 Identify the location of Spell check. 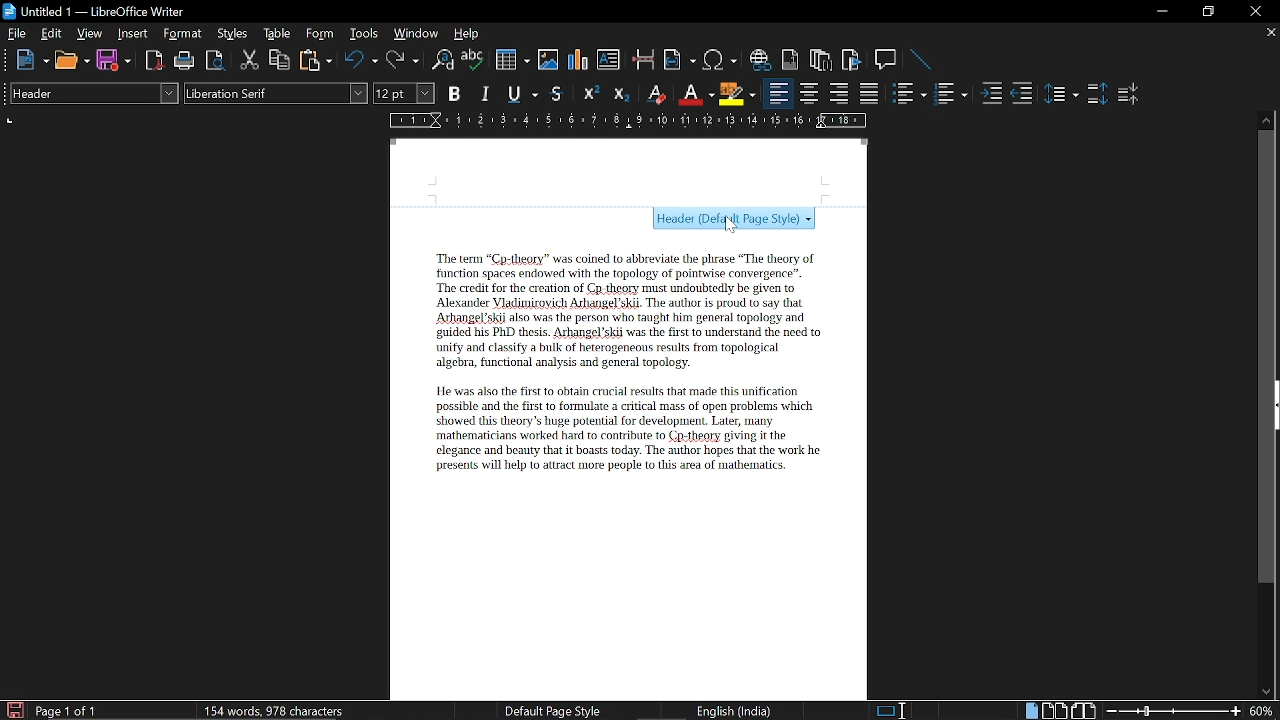
(473, 60).